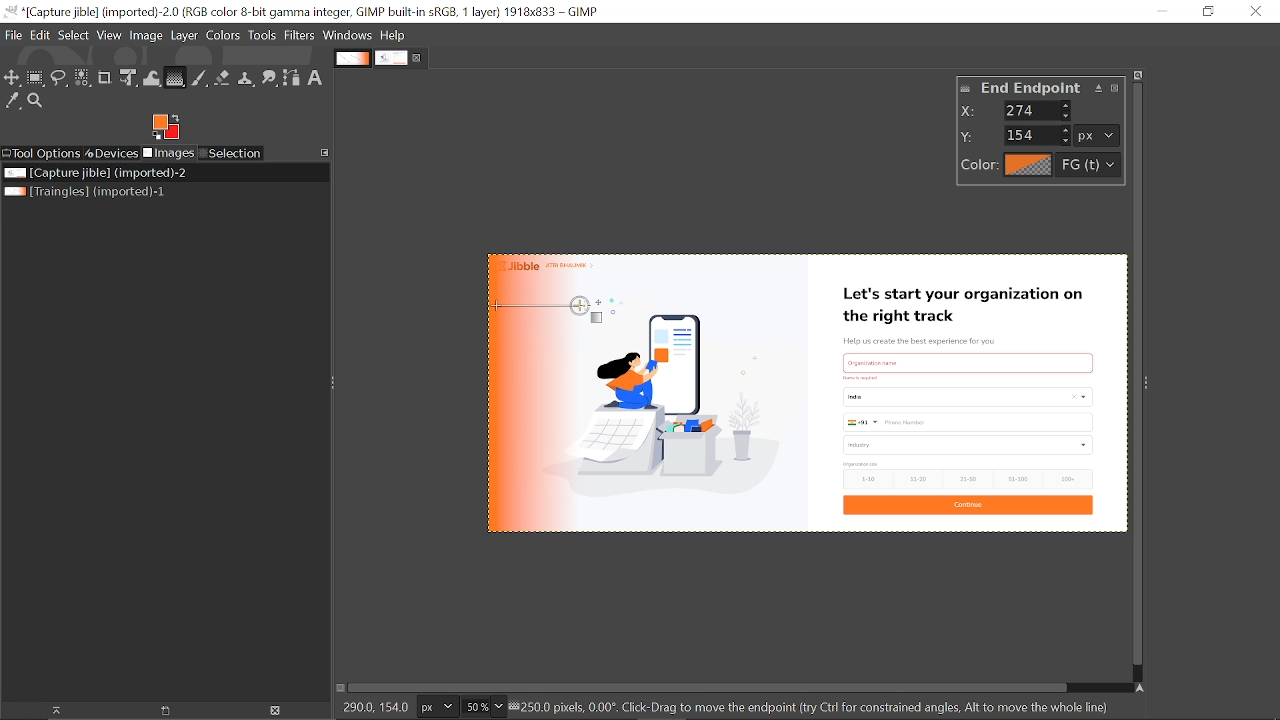  I want to click on Navigate the image display, so click(1139, 687).